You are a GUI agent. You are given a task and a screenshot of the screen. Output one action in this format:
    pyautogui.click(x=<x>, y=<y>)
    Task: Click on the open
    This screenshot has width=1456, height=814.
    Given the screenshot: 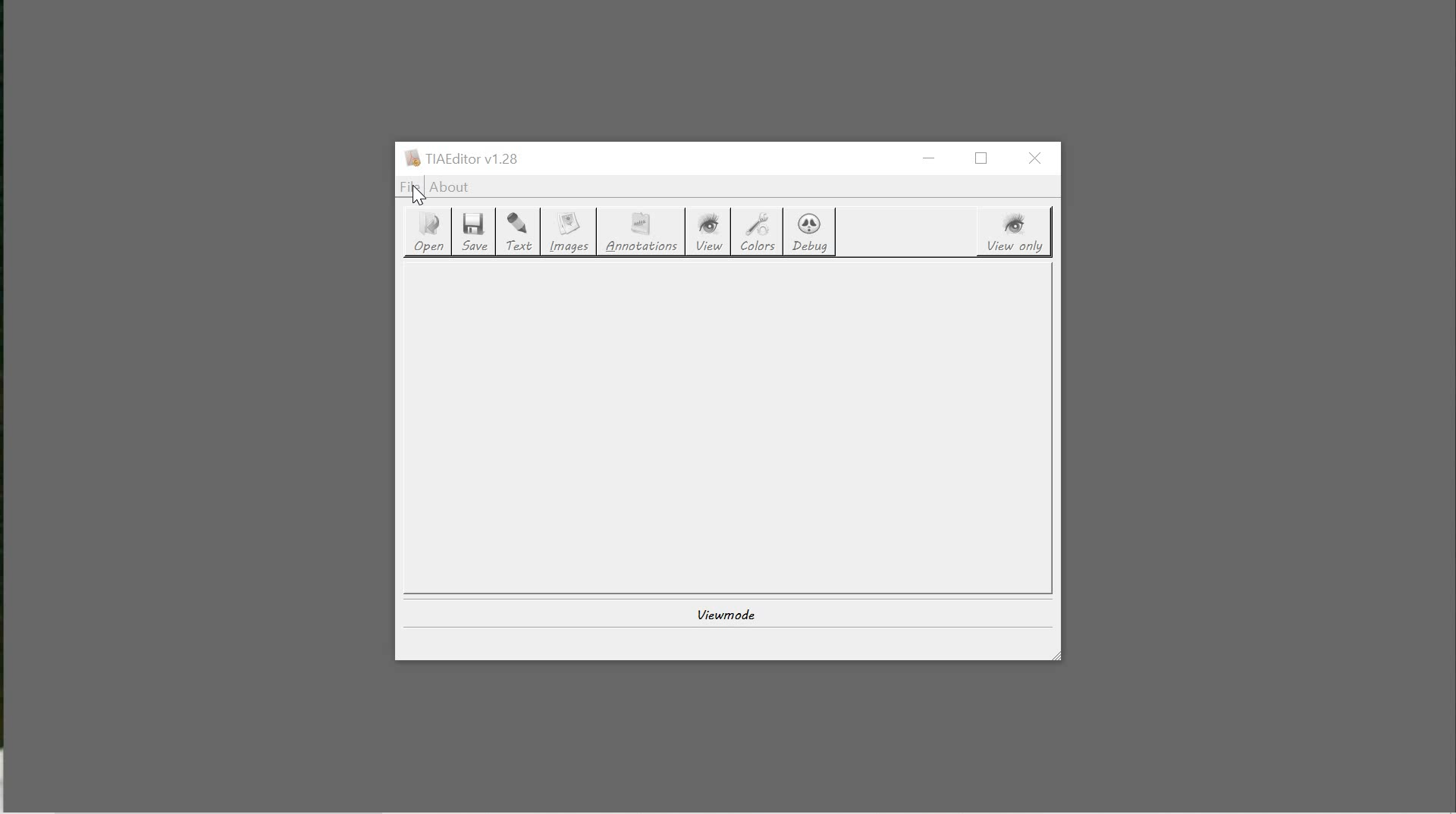 What is the action you would take?
    pyautogui.click(x=426, y=233)
    